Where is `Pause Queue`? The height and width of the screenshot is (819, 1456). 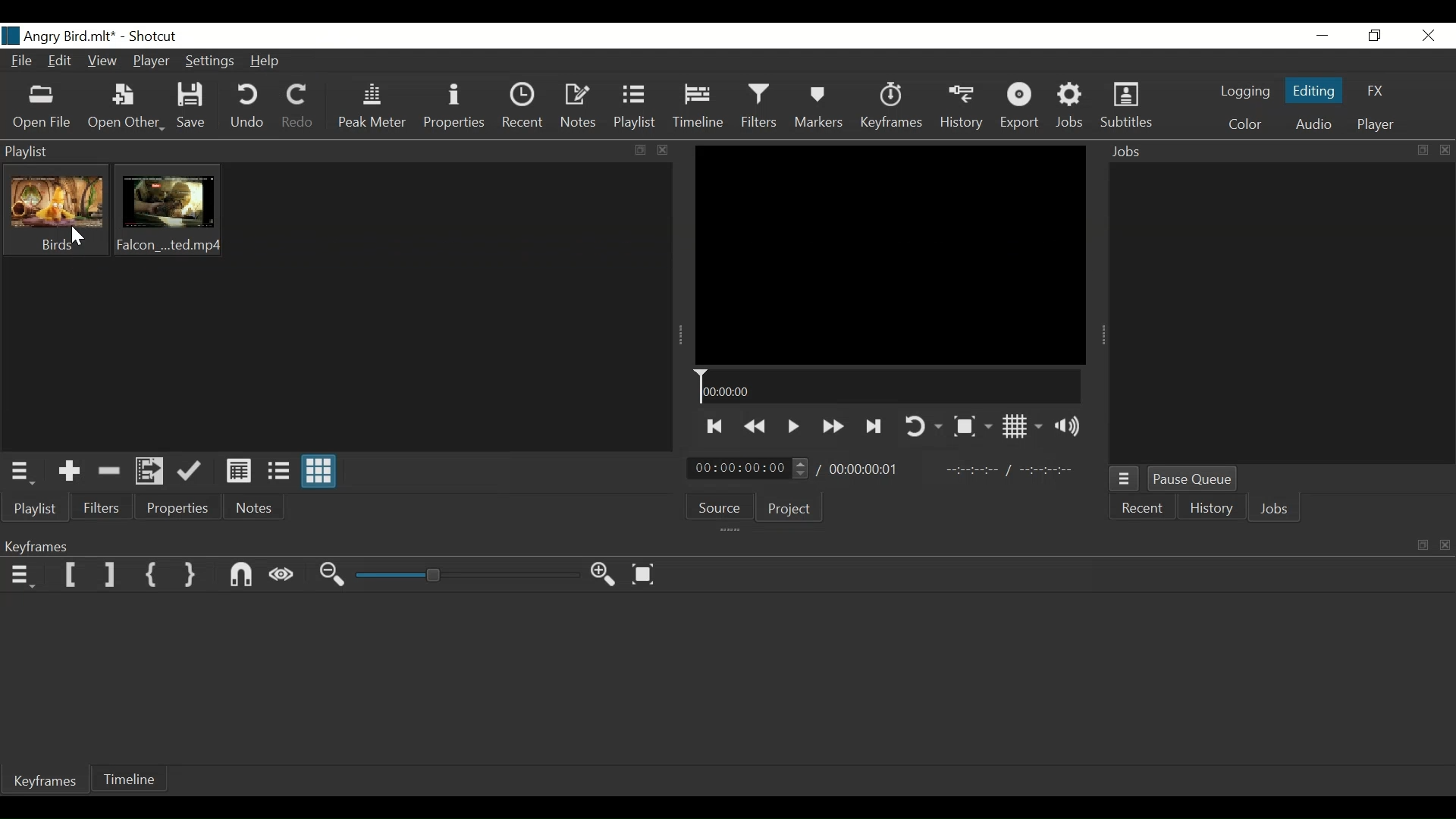 Pause Queue is located at coordinates (1194, 479).